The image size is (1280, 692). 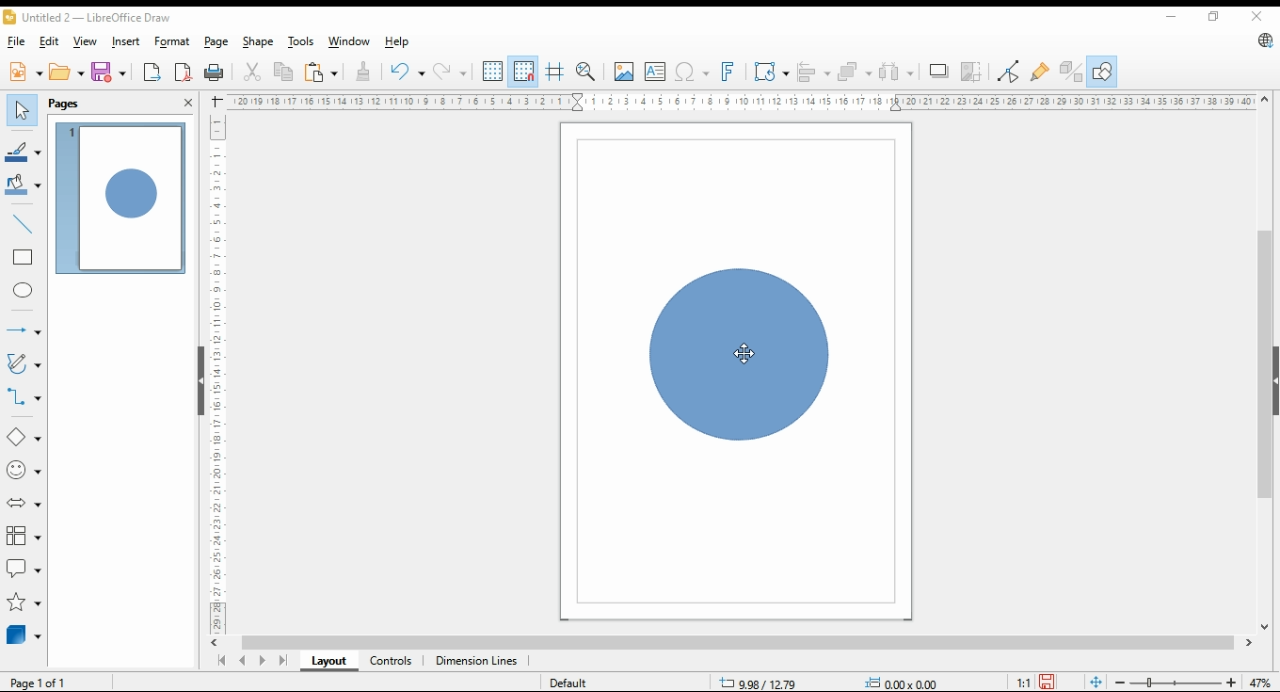 What do you see at coordinates (1071, 70) in the screenshot?
I see `toggle extrusions` at bounding box center [1071, 70].